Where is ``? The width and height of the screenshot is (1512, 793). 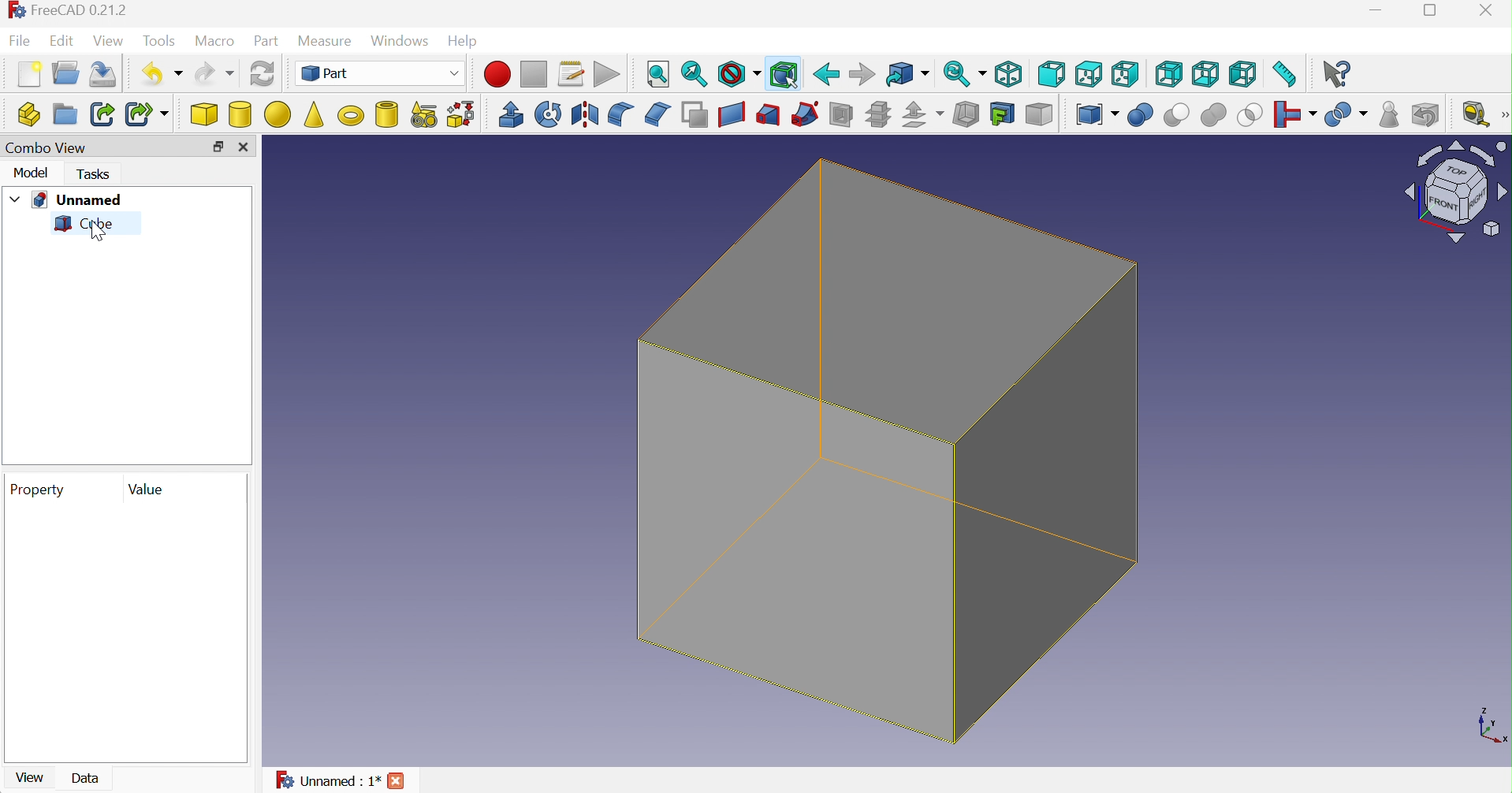  is located at coordinates (1761, 99).